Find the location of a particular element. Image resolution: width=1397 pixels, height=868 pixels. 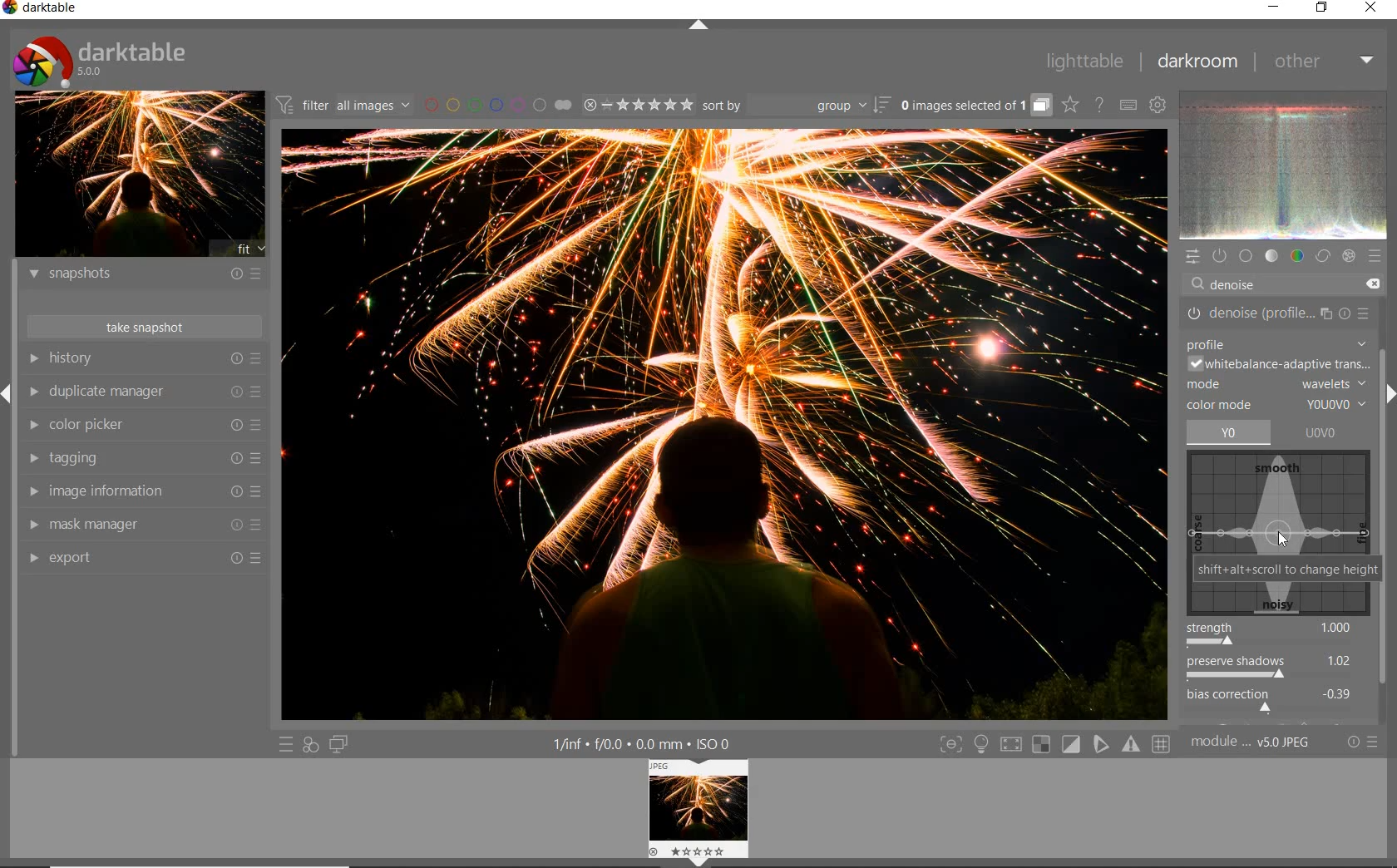

click to change overlays on thumbnails is located at coordinates (1069, 104).